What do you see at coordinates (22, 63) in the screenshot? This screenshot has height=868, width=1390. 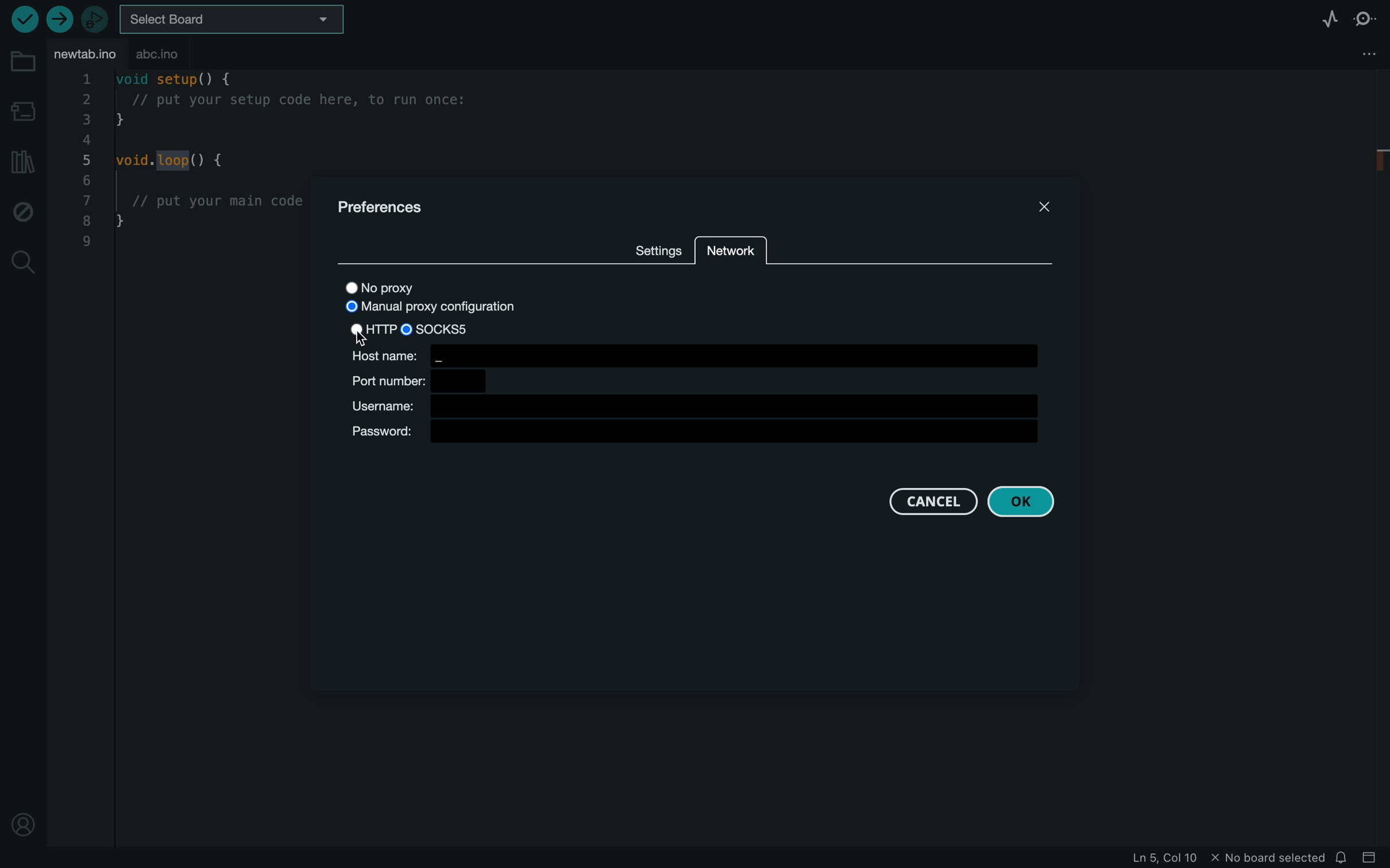 I see `folder` at bounding box center [22, 63].